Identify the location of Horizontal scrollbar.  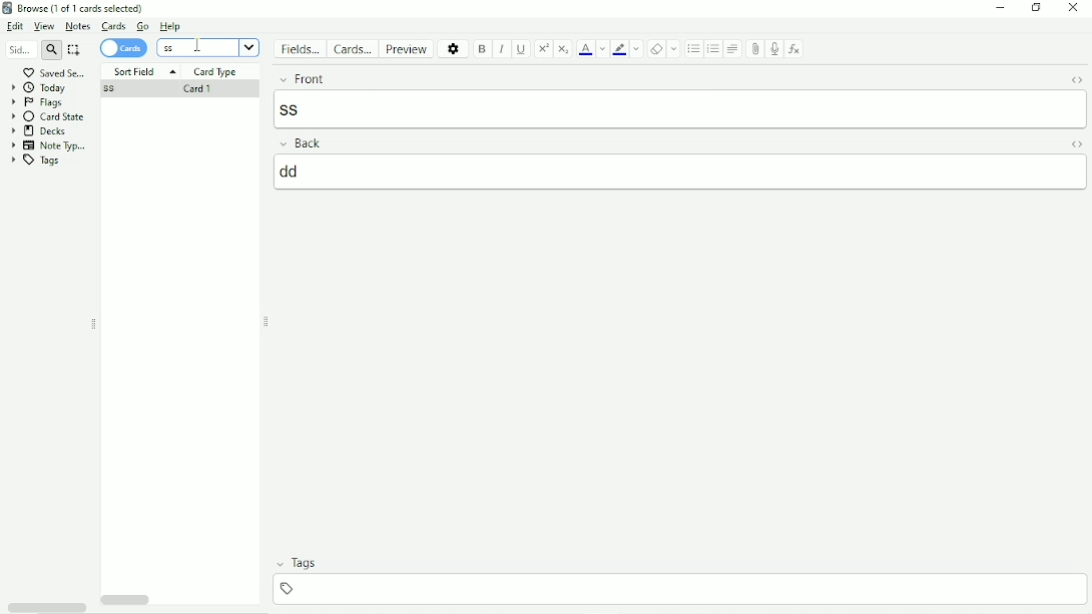
(46, 606).